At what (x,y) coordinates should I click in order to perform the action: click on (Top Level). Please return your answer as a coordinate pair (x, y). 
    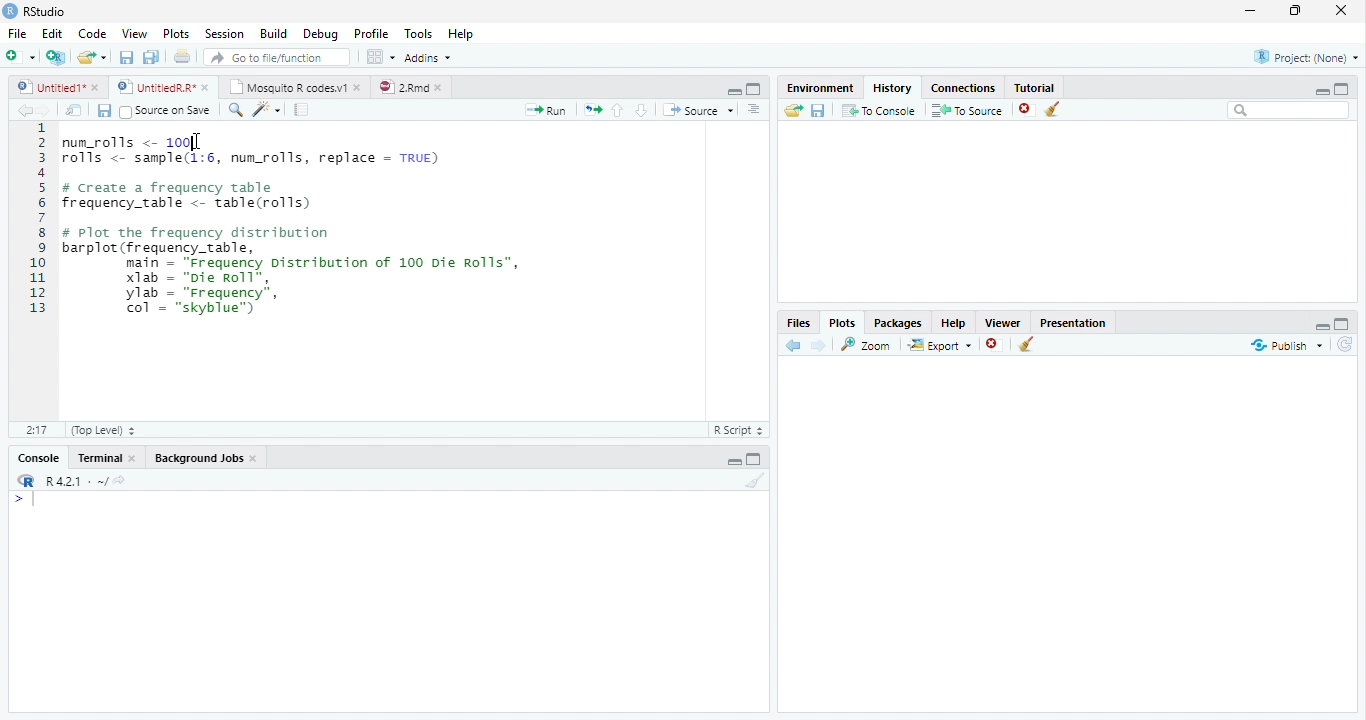
    Looking at the image, I should click on (103, 430).